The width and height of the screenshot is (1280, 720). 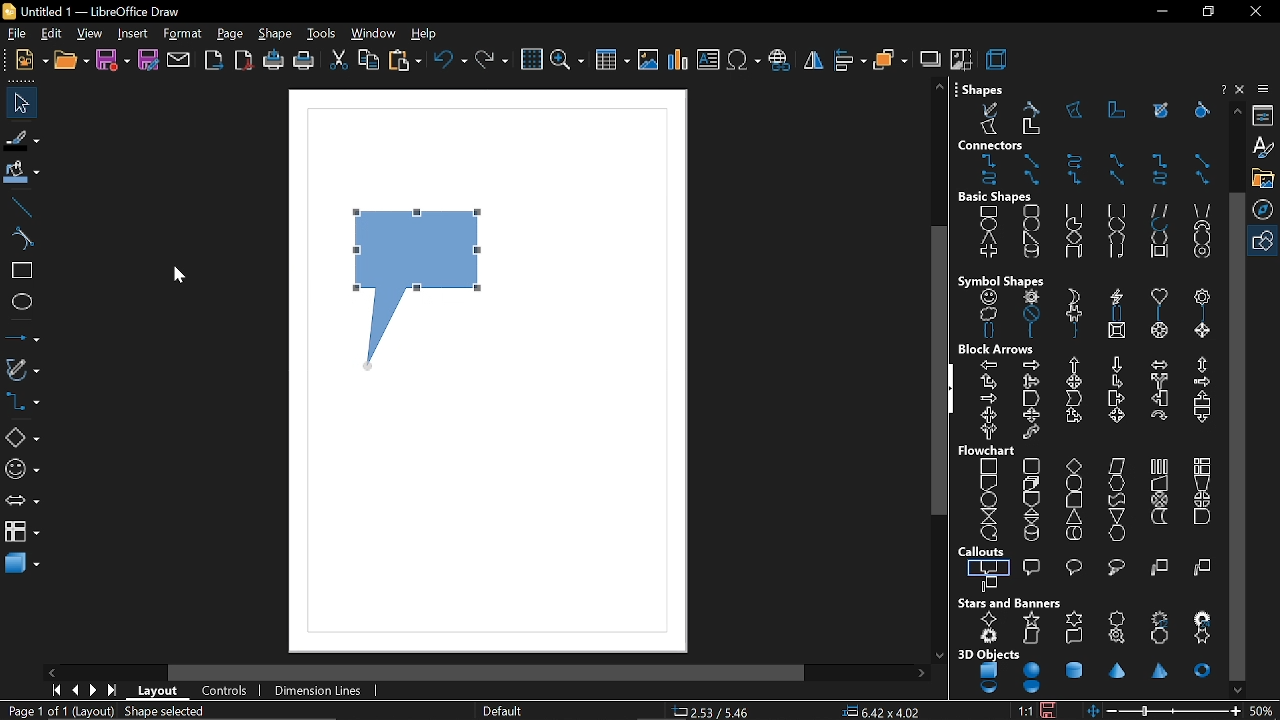 I want to click on doorplate, so click(x=1162, y=637).